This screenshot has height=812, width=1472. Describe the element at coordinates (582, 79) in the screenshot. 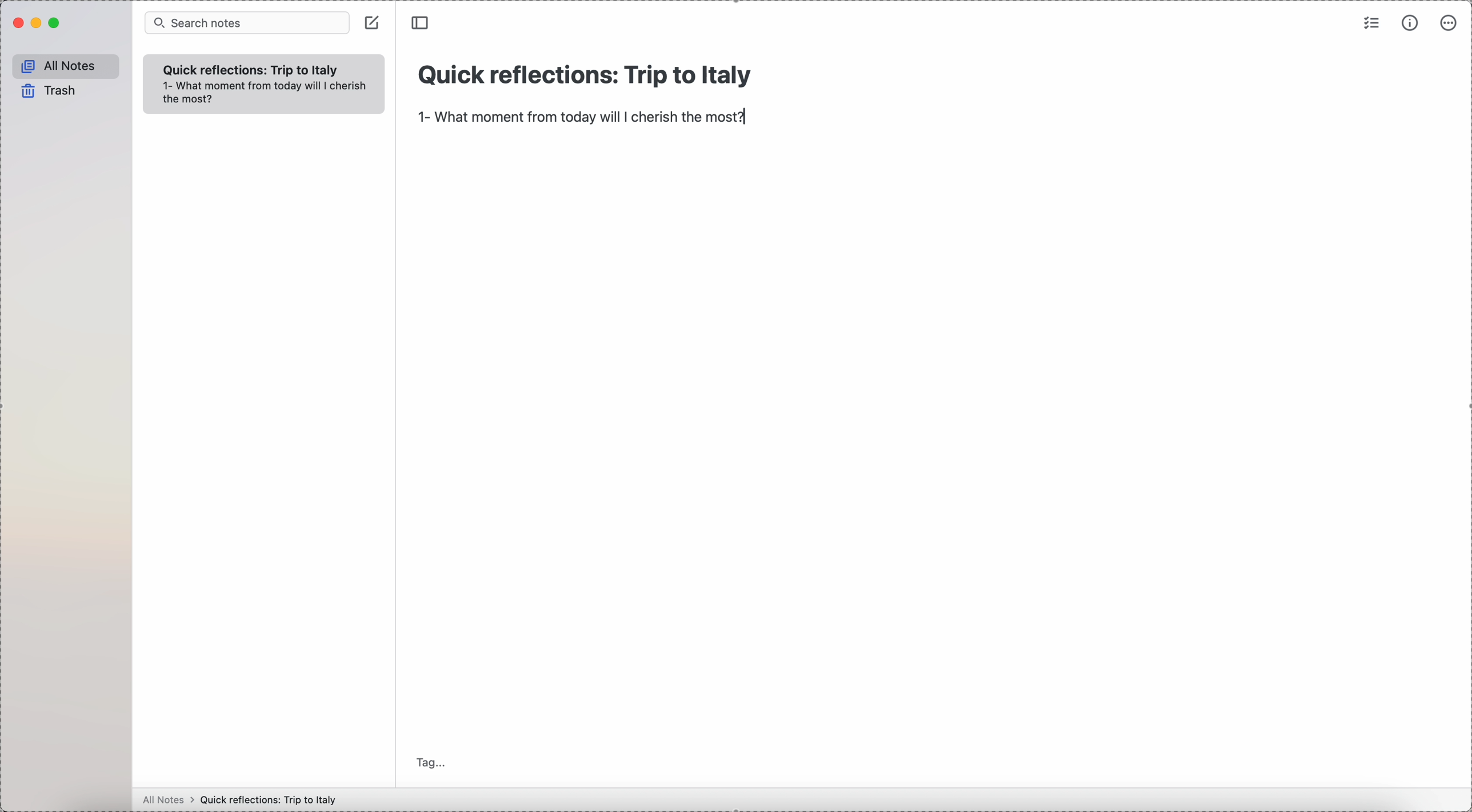

I see `Quick reflections: Trip to Italy` at that location.